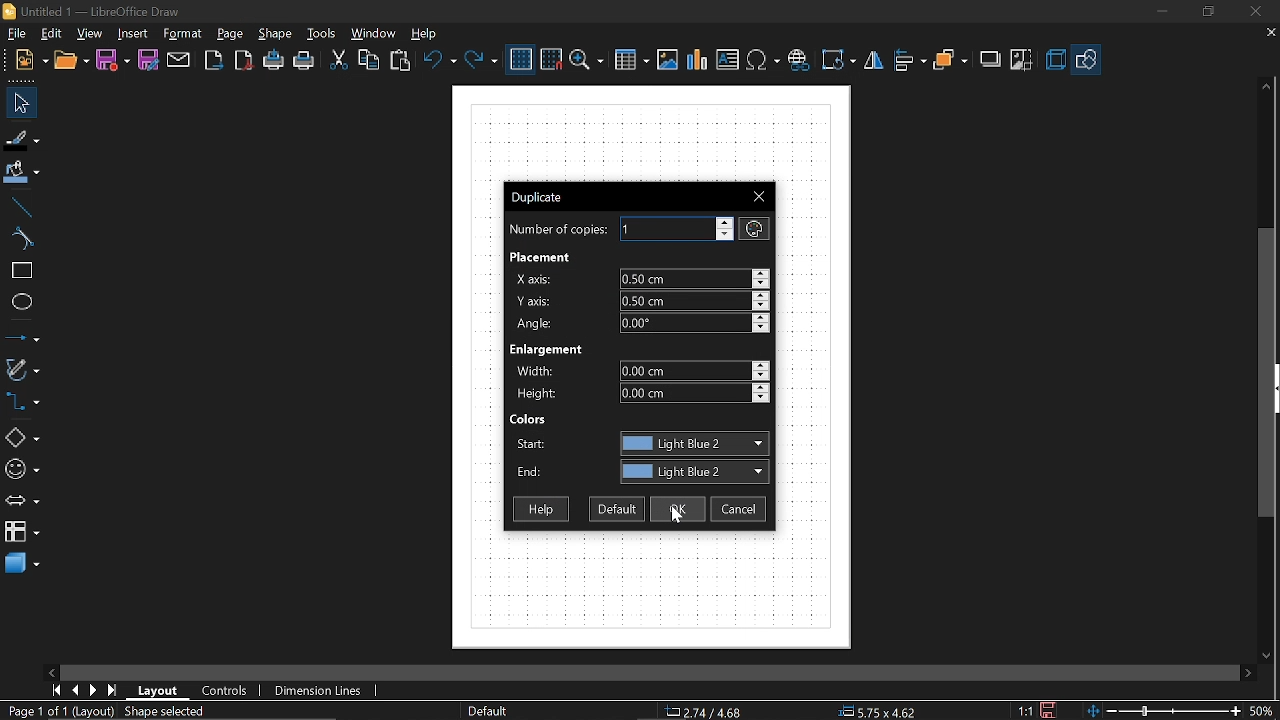  I want to click on Tools, so click(324, 34).